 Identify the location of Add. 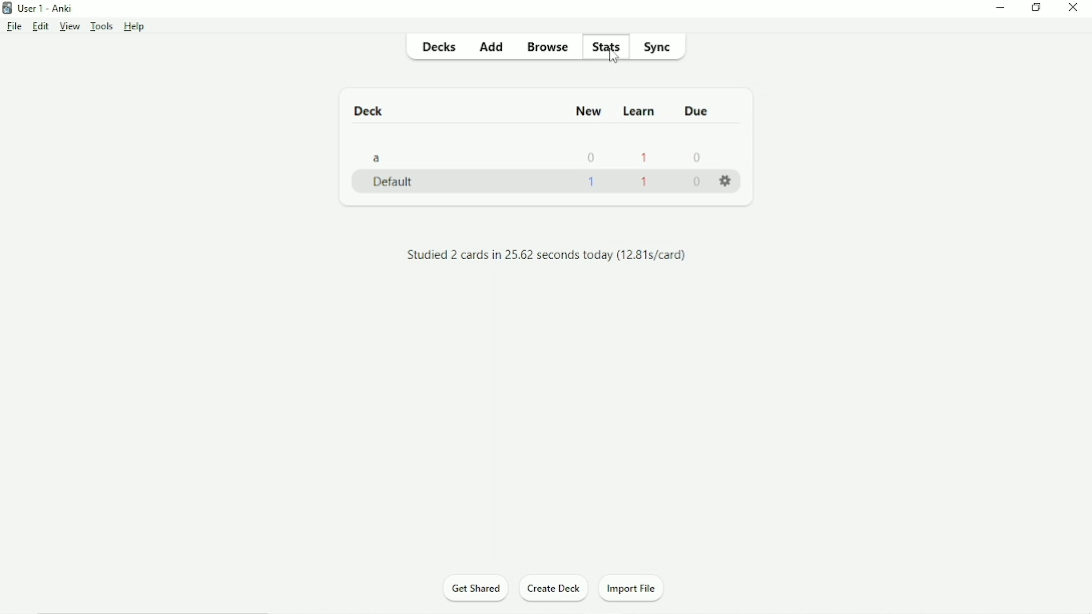
(484, 47).